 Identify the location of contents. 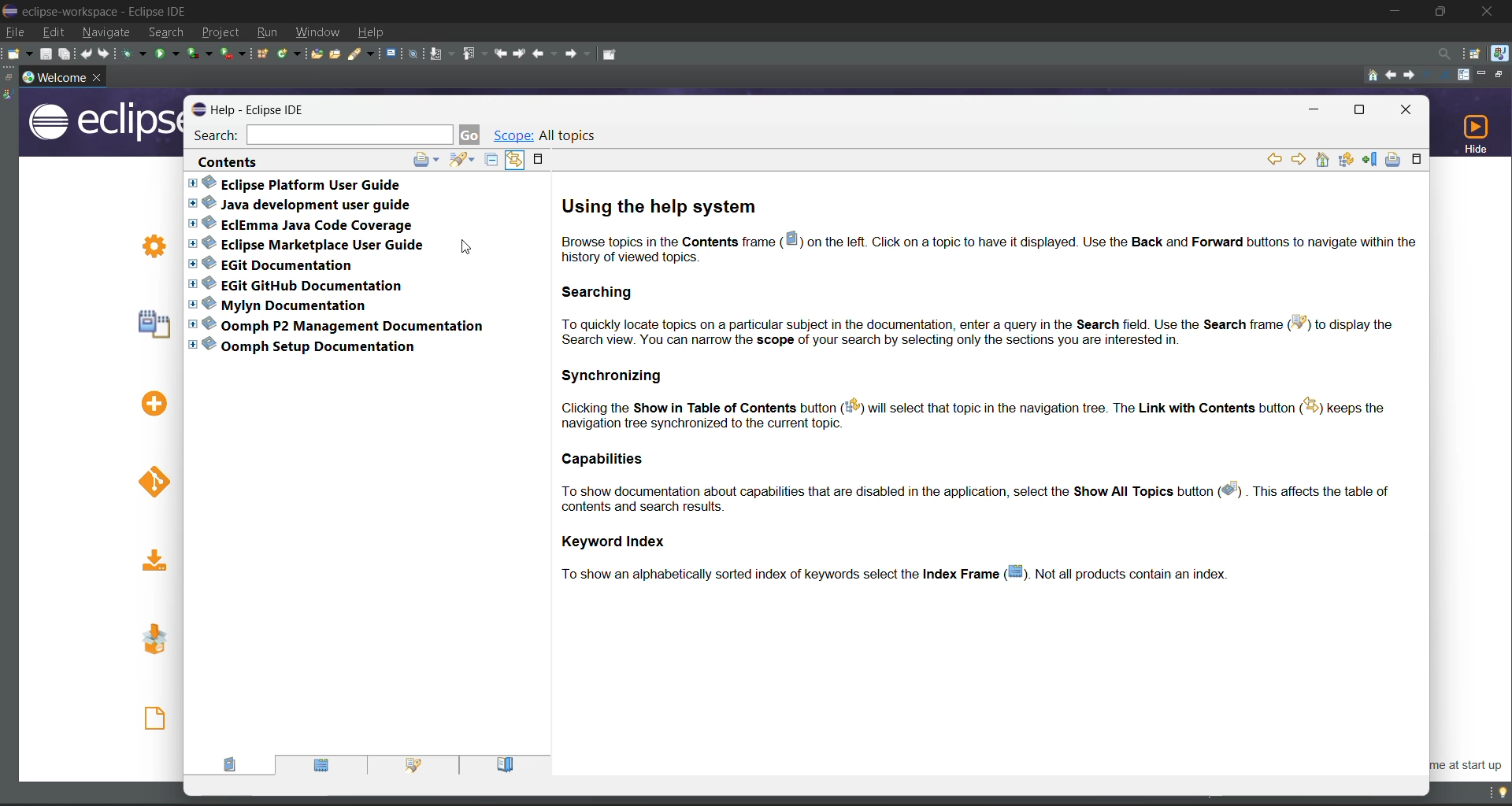
(241, 161).